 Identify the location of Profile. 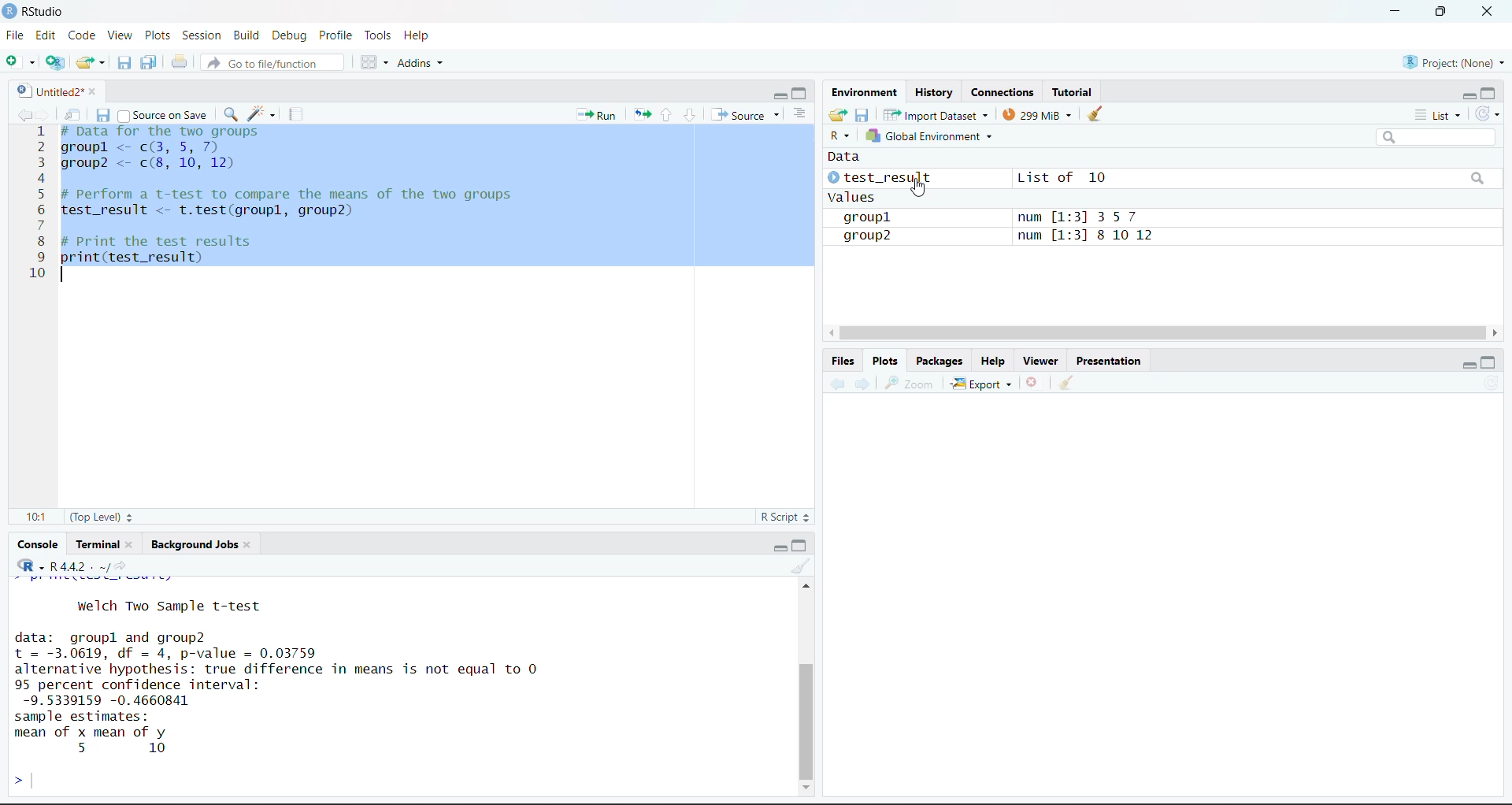
(339, 35).